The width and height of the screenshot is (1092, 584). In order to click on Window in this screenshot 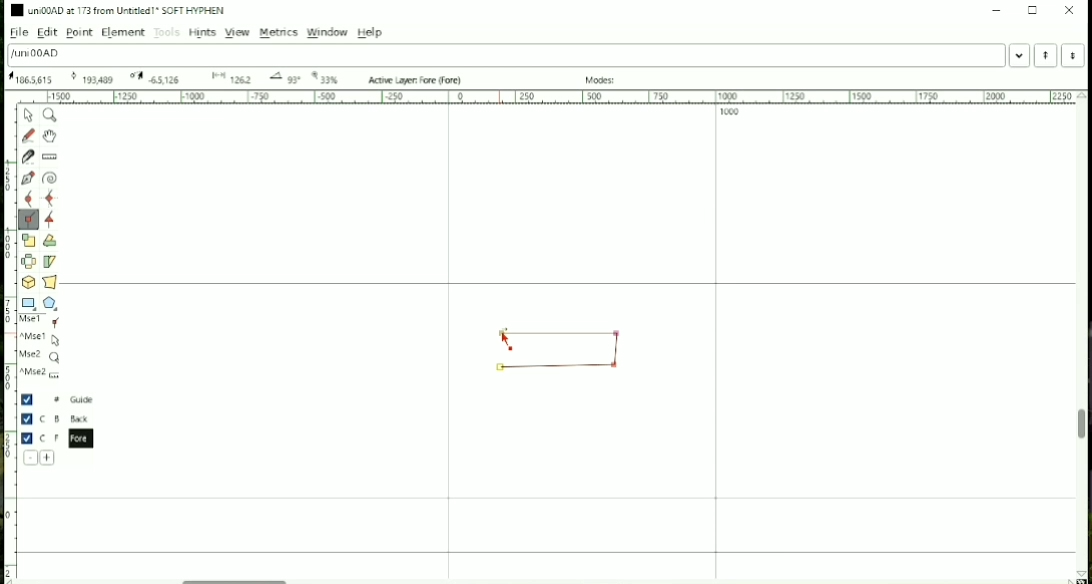, I will do `click(328, 32)`.